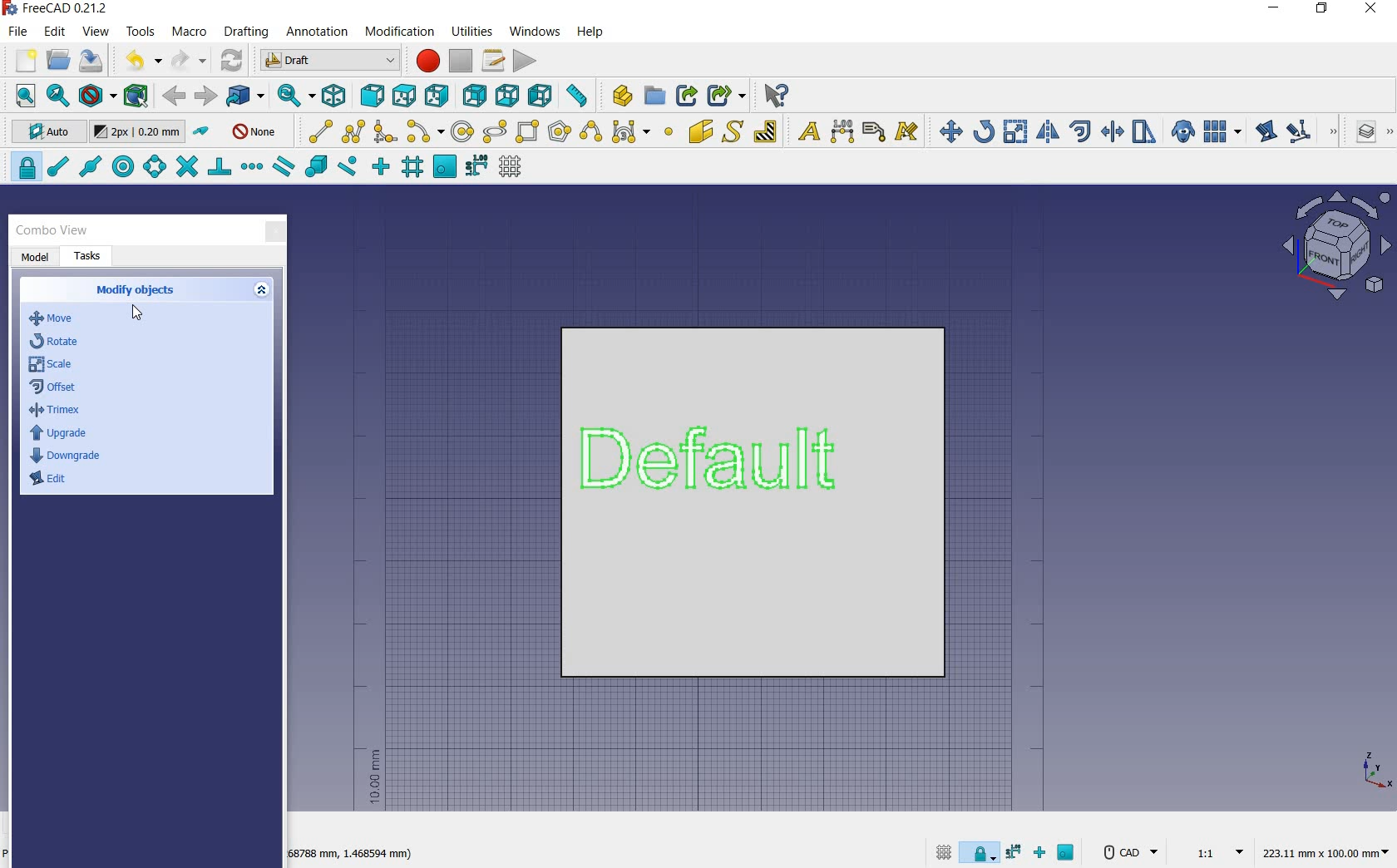 The width and height of the screenshot is (1397, 868). What do you see at coordinates (1081, 131) in the screenshot?
I see `offset` at bounding box center [1081, 131].